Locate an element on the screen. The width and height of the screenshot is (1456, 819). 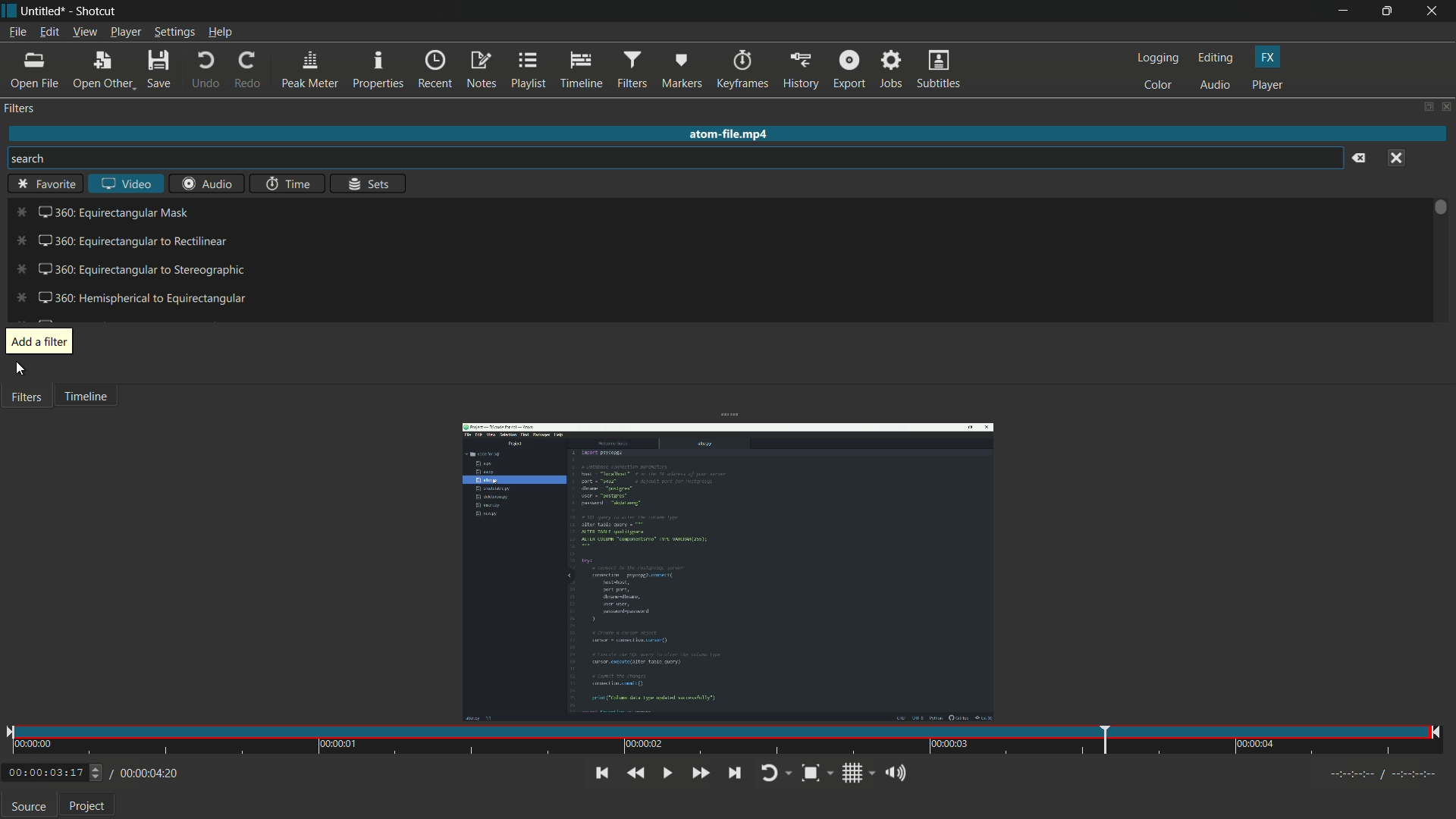
Project is located at coordinates (93, 805).